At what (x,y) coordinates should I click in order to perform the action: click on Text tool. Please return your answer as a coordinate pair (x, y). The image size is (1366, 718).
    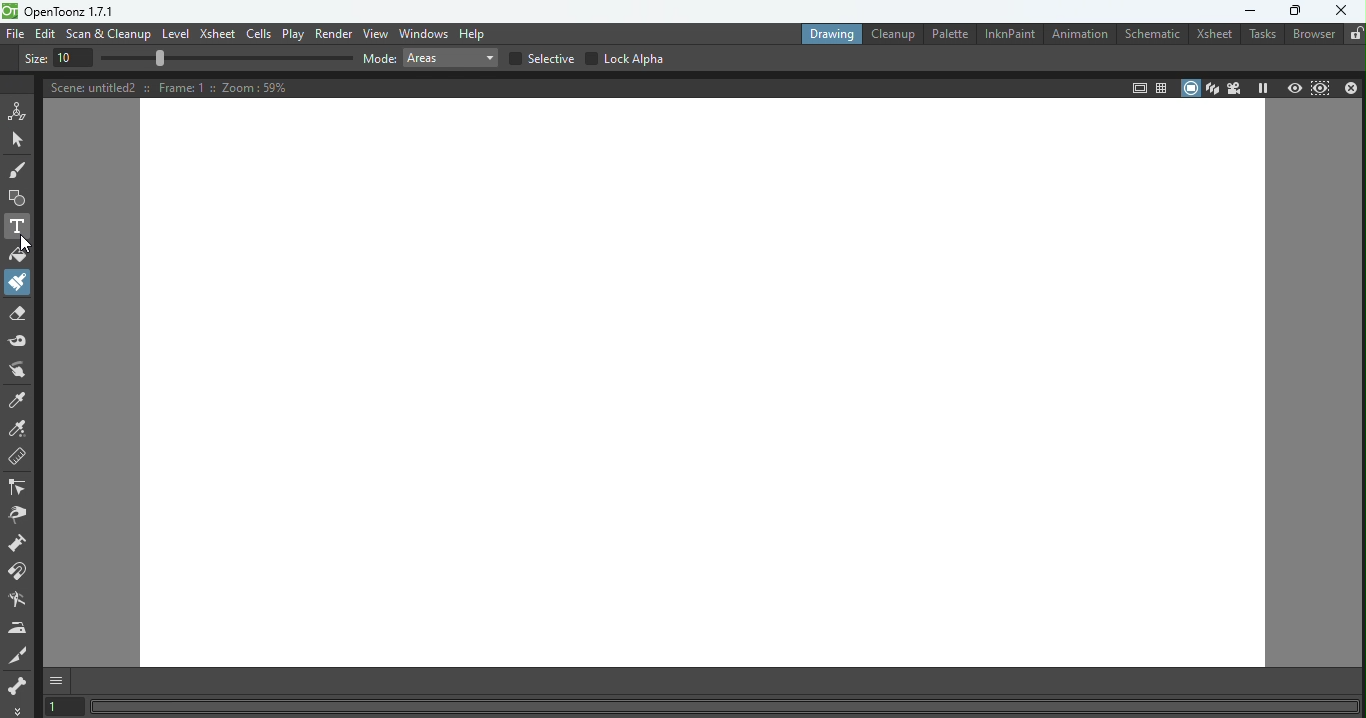
    Looking at the image, I should click on (19, 226).